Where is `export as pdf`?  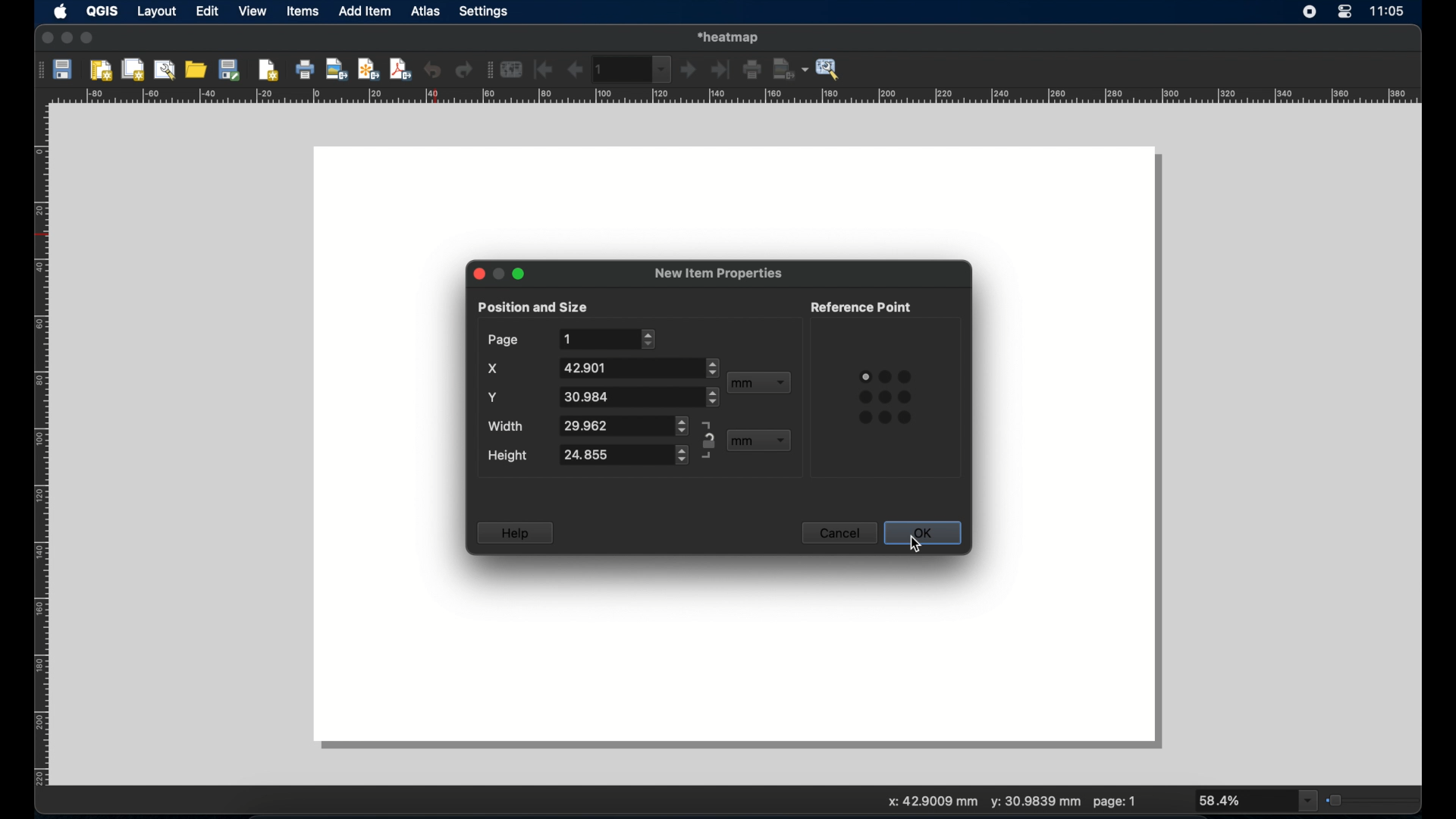 export as pdf is located at coordinates (400, 69).